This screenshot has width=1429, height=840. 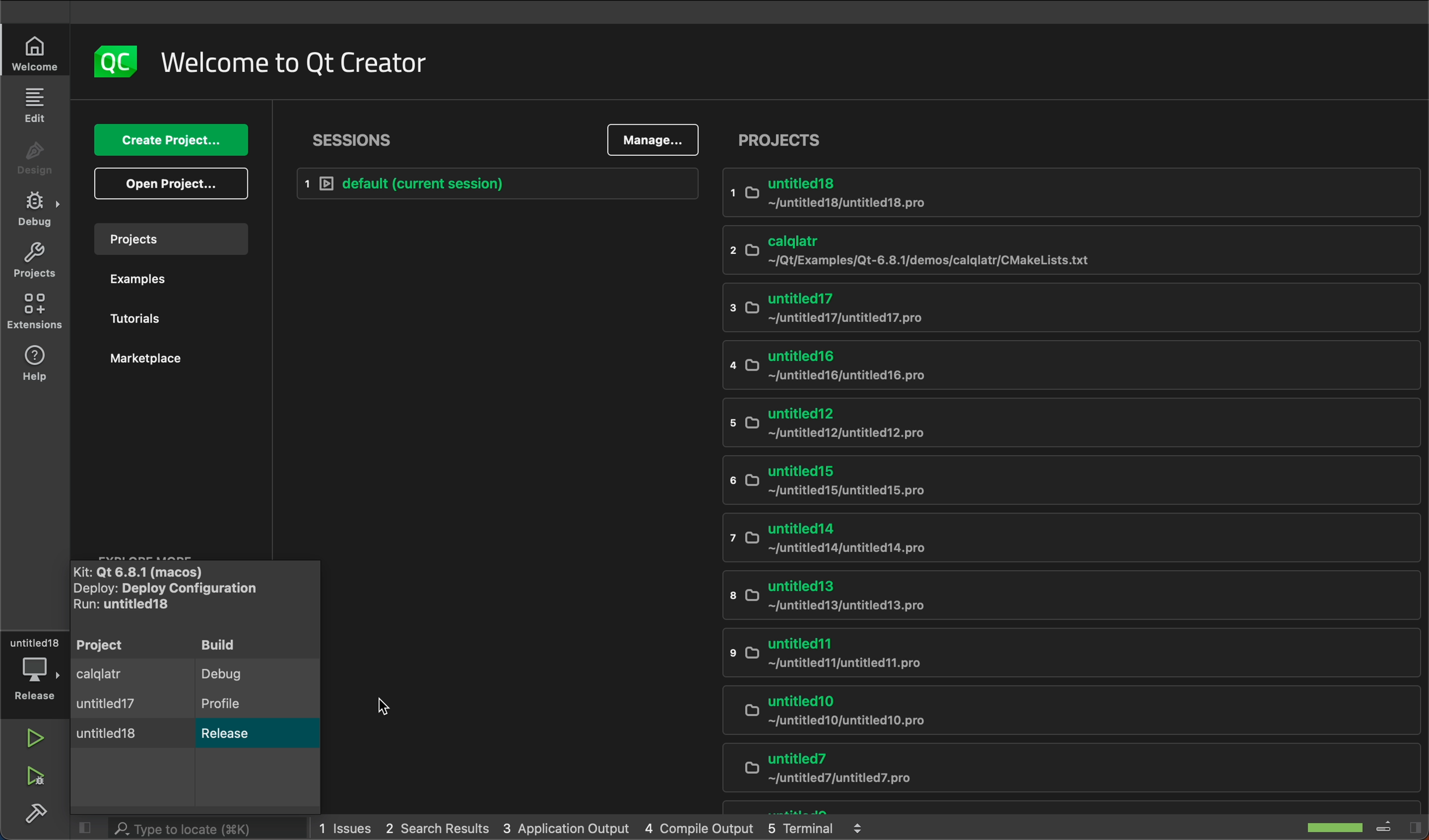 What do you see at coordinates (1398, 825) in the screenshot?
I see `toggle sidebar` at bounding box center [1398, 825].